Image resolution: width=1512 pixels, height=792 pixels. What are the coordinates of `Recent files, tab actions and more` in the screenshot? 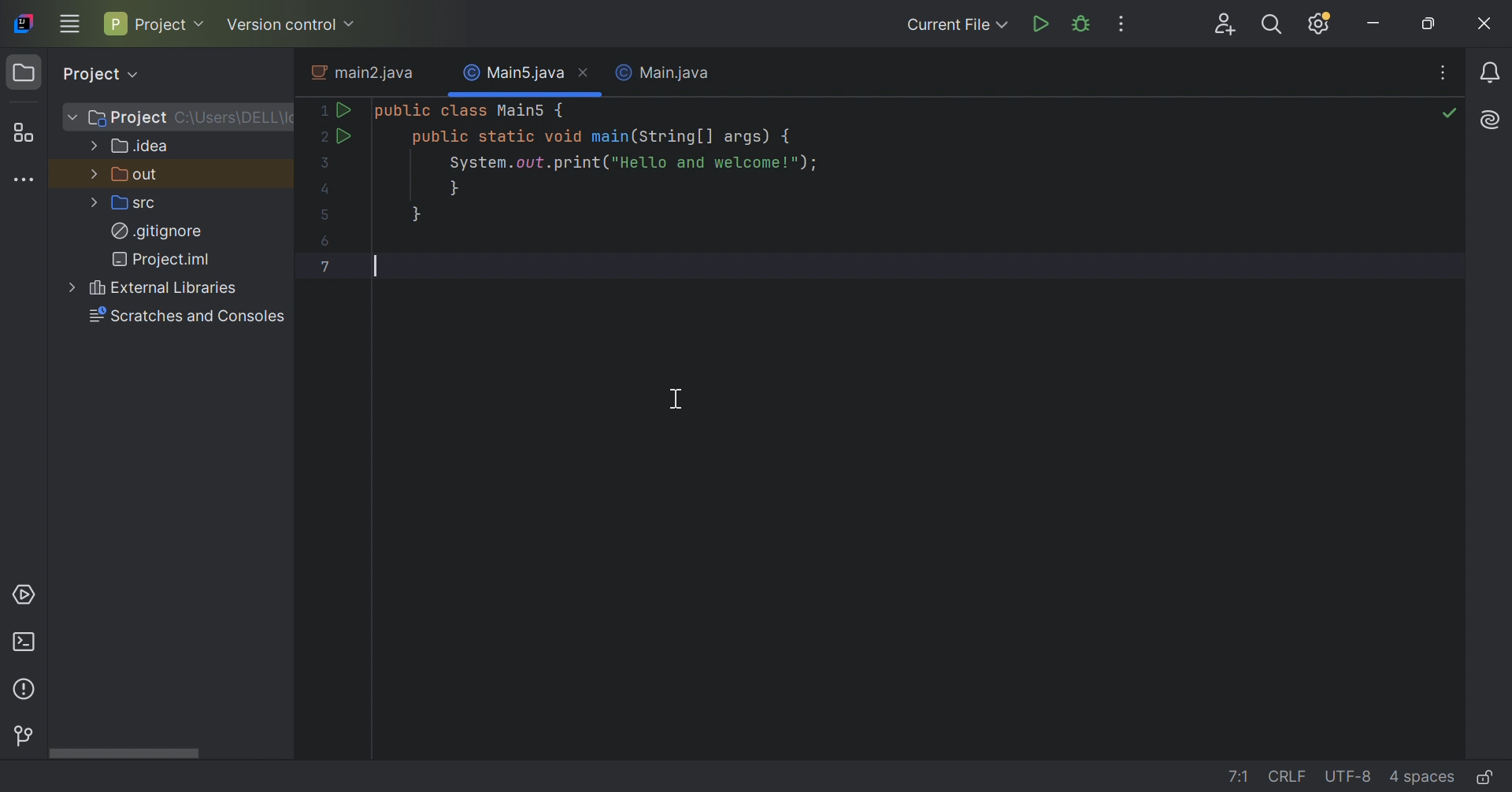 It's located at (1446, 74).